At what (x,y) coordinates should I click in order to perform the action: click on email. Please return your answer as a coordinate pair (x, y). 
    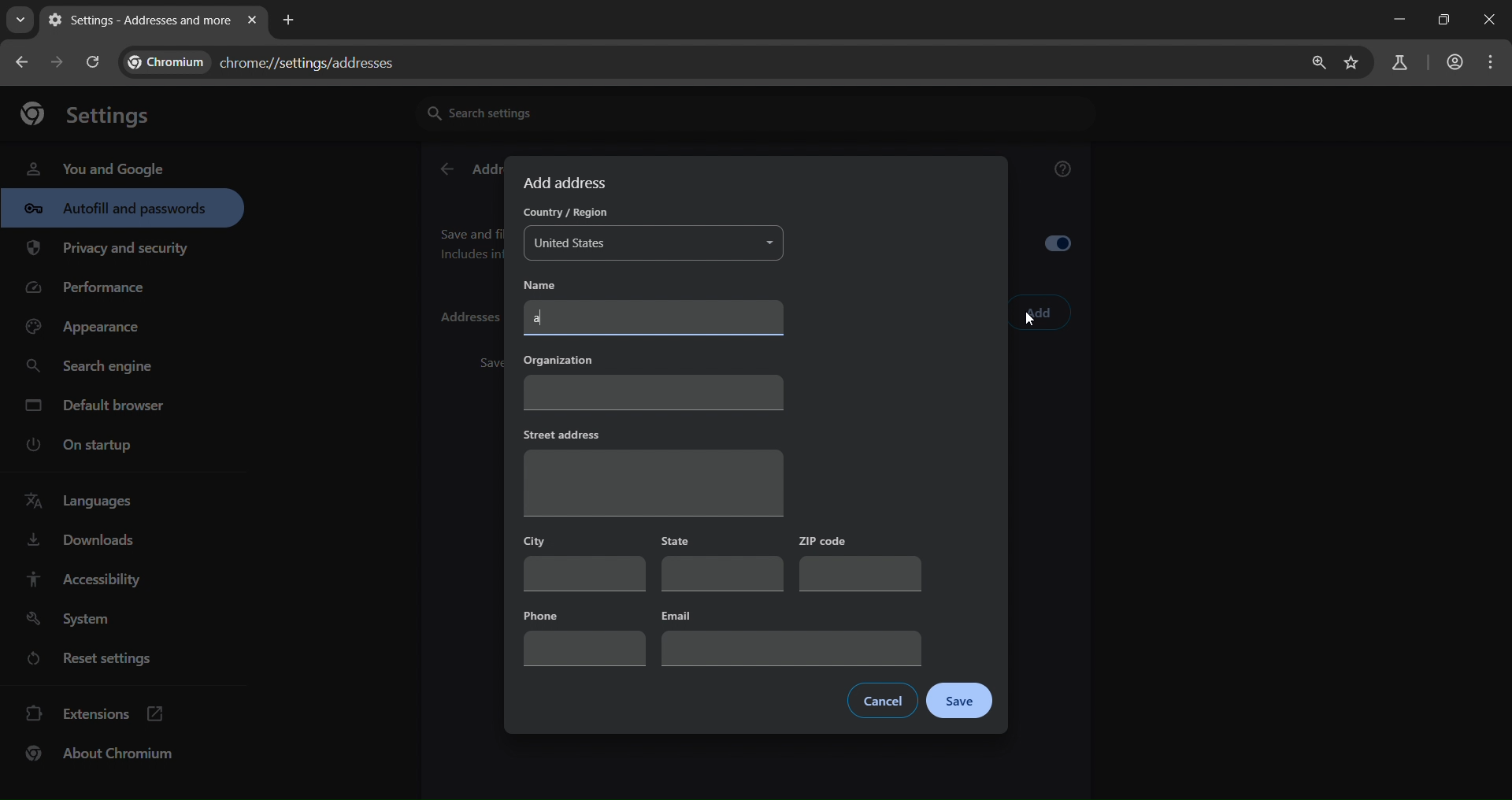
    Looking at the image, I should click on (792, 637).